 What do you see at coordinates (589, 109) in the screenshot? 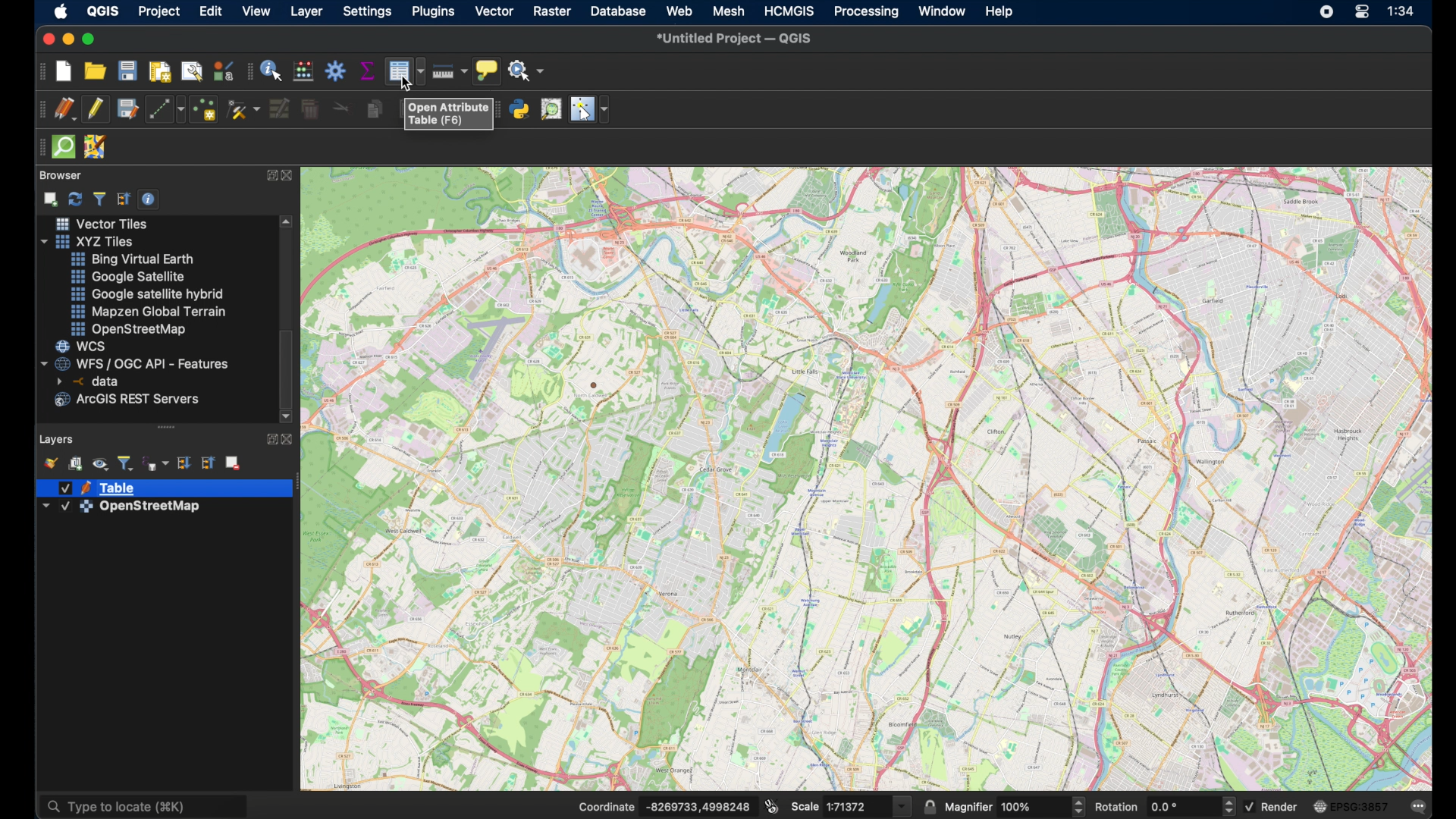
I see `switched mouse to a configurable pointer` at bounding box center [589, 109].